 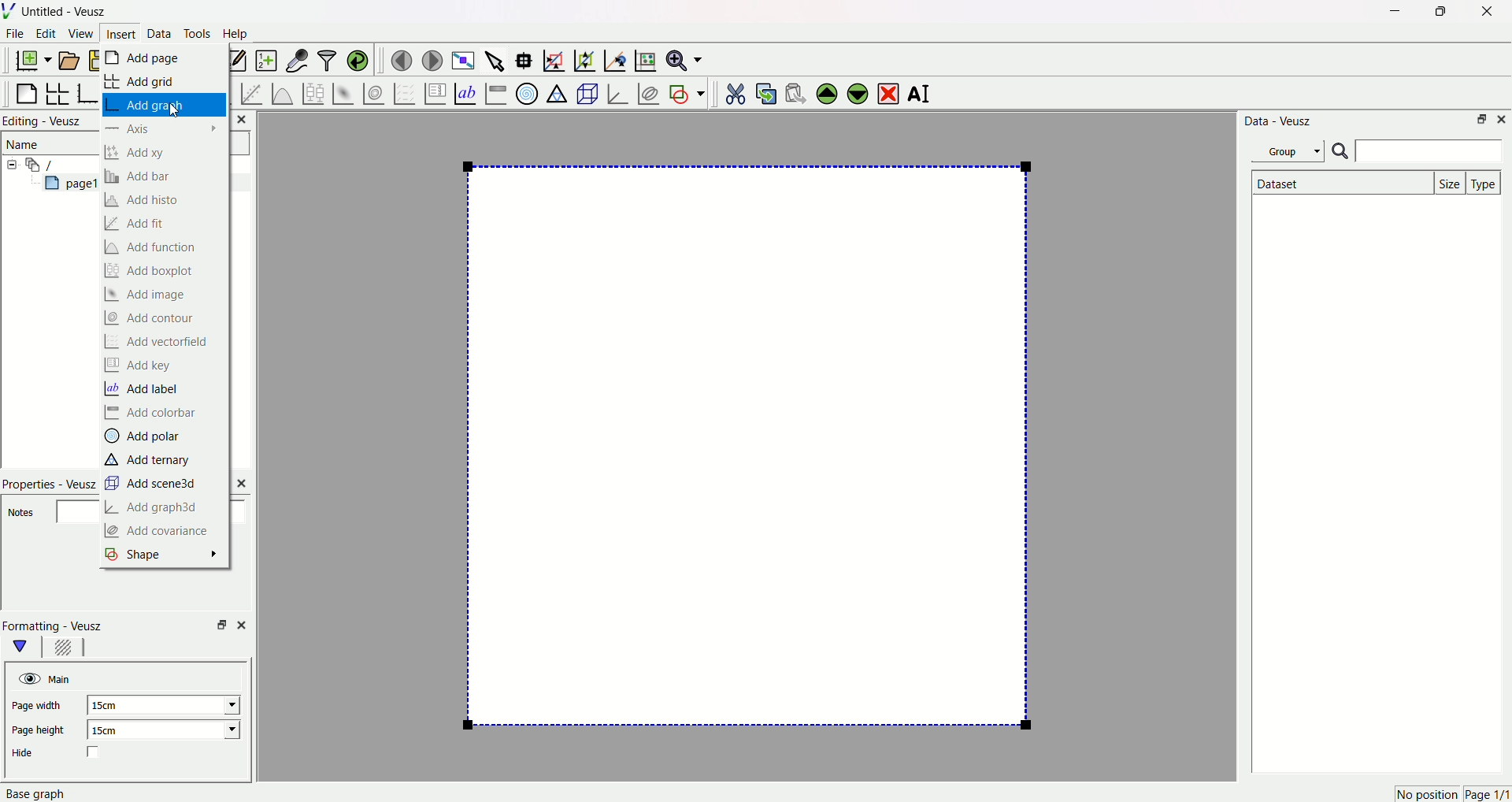 I want to click on Maximize, so click(x=1437, y=12).